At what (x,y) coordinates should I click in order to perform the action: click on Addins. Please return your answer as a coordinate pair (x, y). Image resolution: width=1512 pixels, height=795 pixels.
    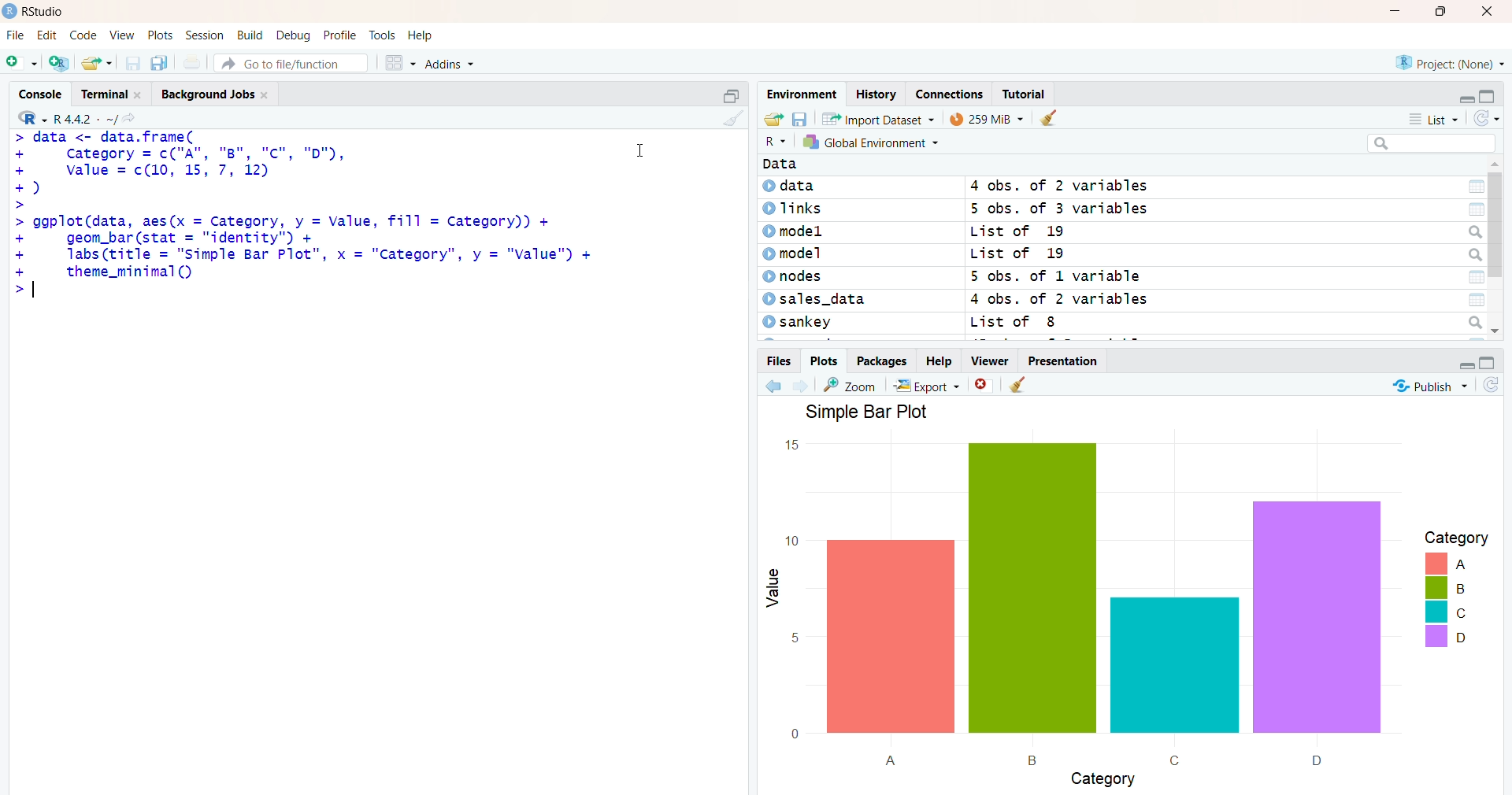
    Looking at the image, I should click on (453, 65).